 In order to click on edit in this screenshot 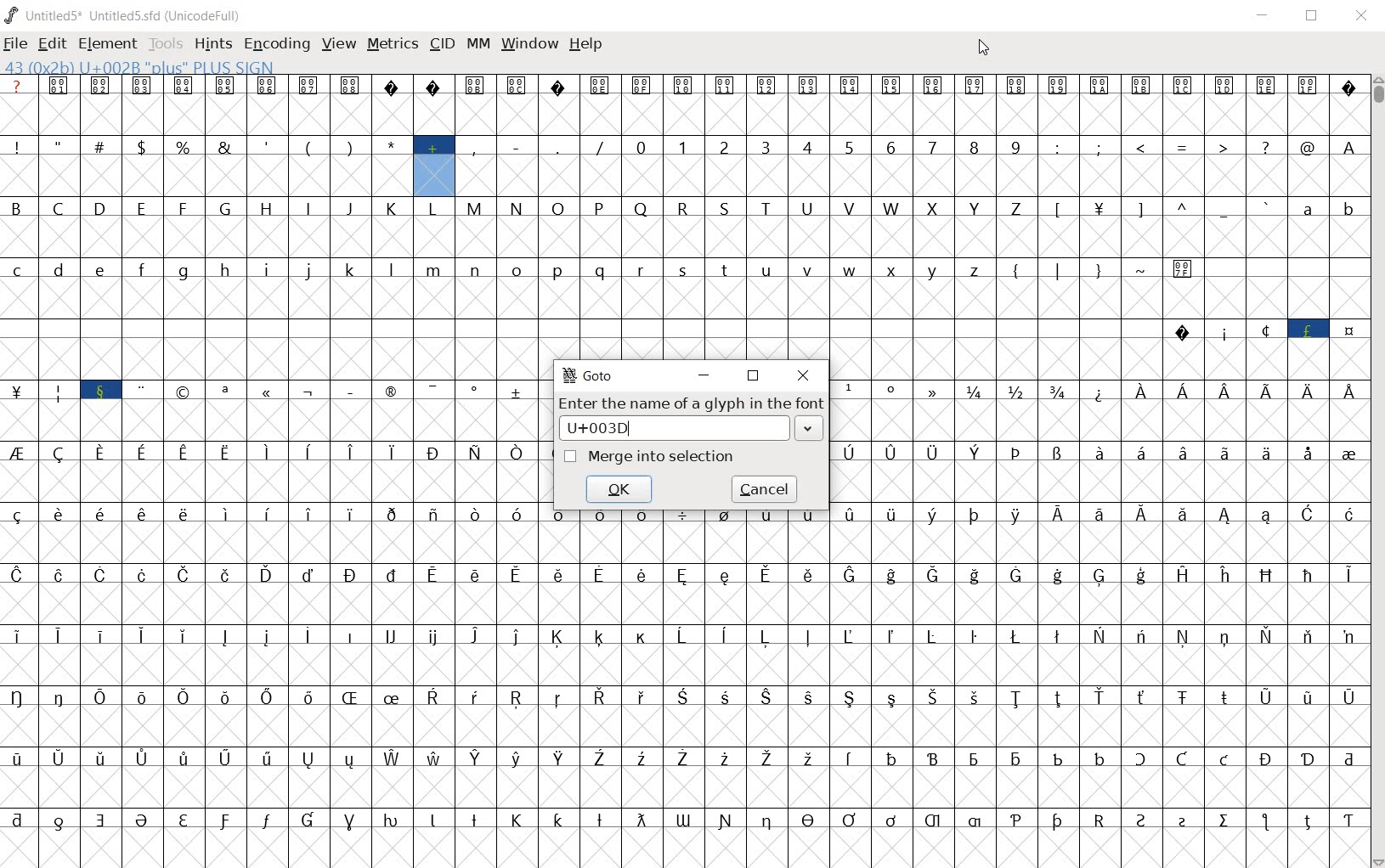, I will do `click(52, 43)`.